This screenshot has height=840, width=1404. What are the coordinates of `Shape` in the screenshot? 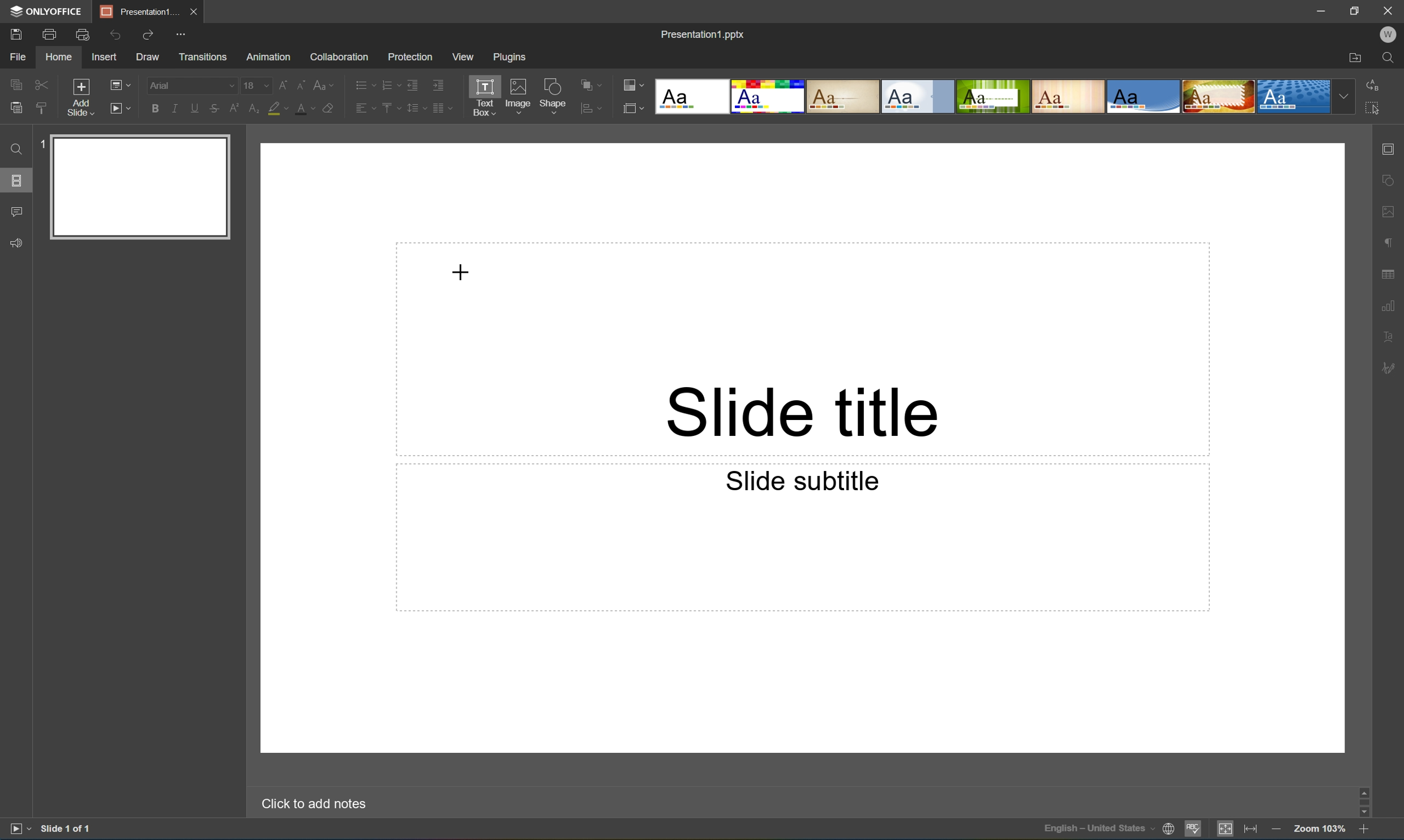 It's located at (554, 98).